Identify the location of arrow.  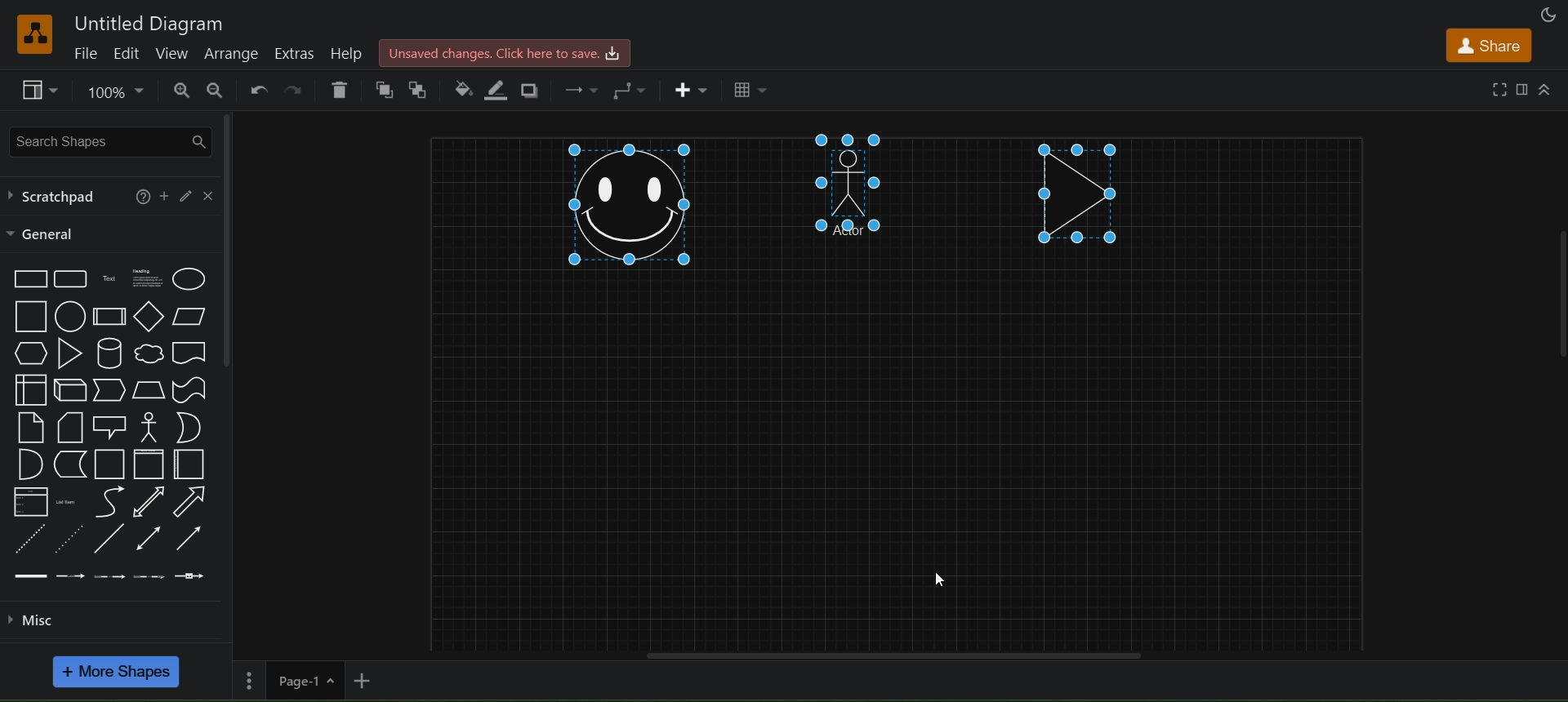
(192, 503).